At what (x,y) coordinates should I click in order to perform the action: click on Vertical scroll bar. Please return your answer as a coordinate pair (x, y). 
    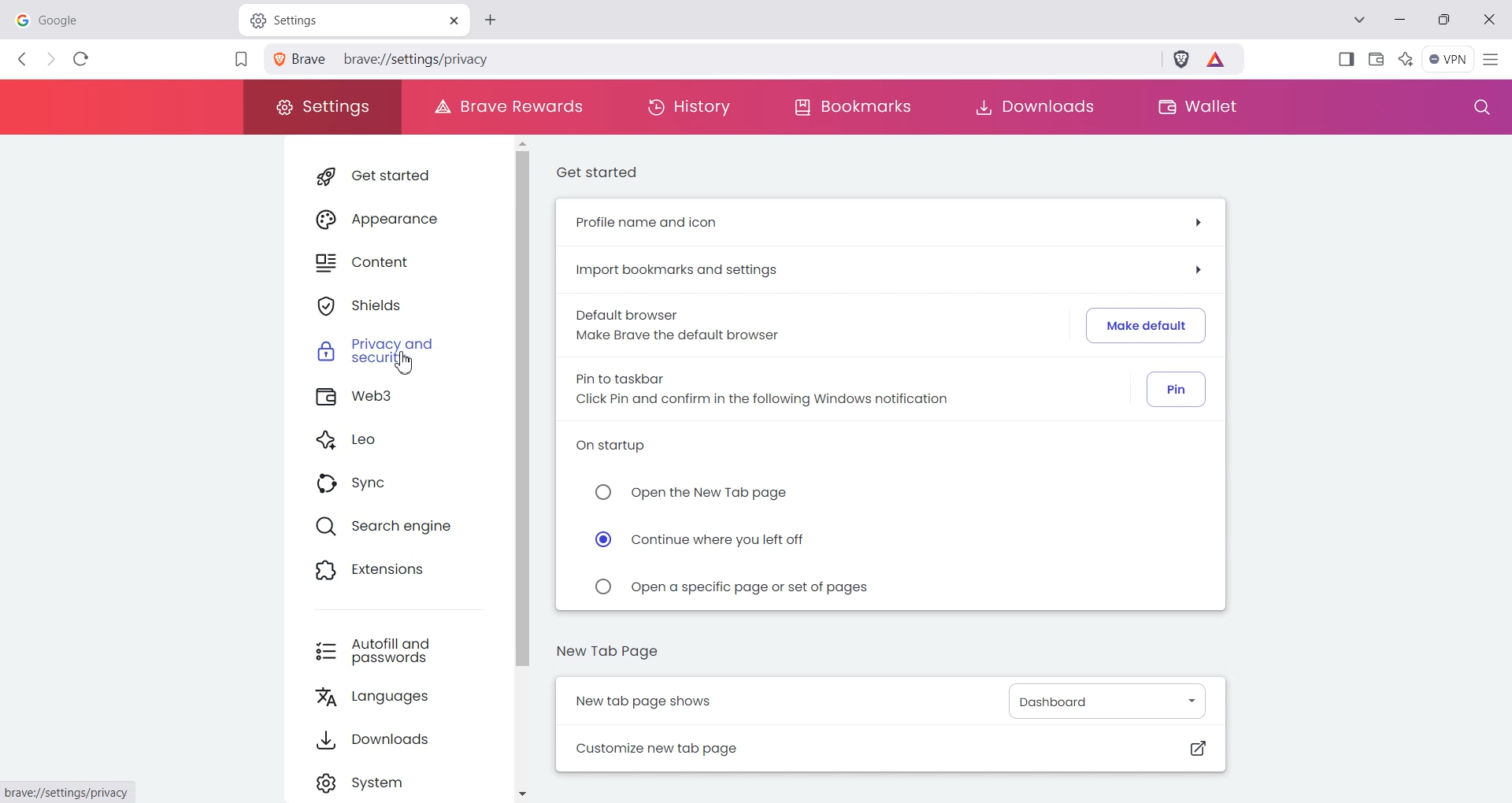
    Looking at the image, I should click on (524, 469).